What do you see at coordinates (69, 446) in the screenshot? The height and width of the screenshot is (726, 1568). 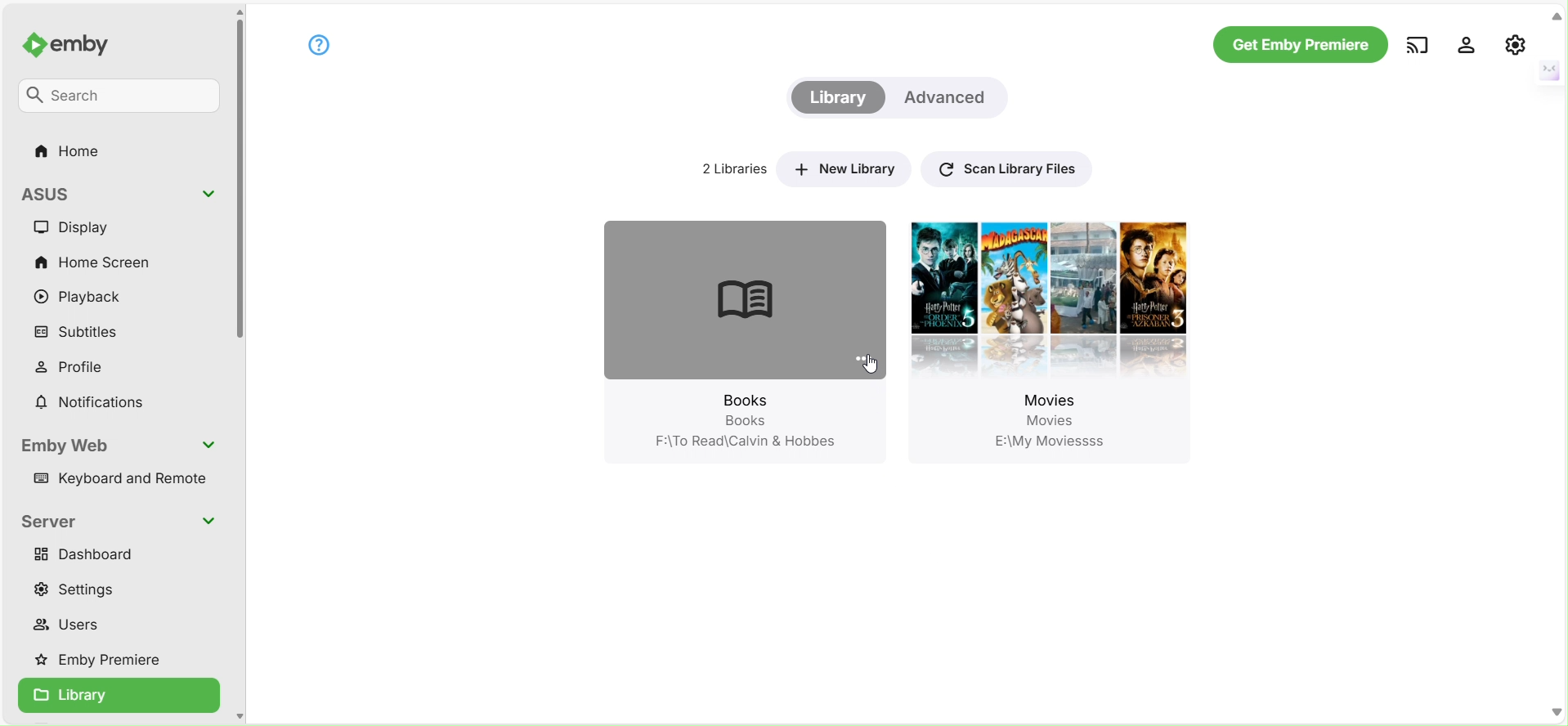 I see `Emby Web` at bounding box center [69, 446].